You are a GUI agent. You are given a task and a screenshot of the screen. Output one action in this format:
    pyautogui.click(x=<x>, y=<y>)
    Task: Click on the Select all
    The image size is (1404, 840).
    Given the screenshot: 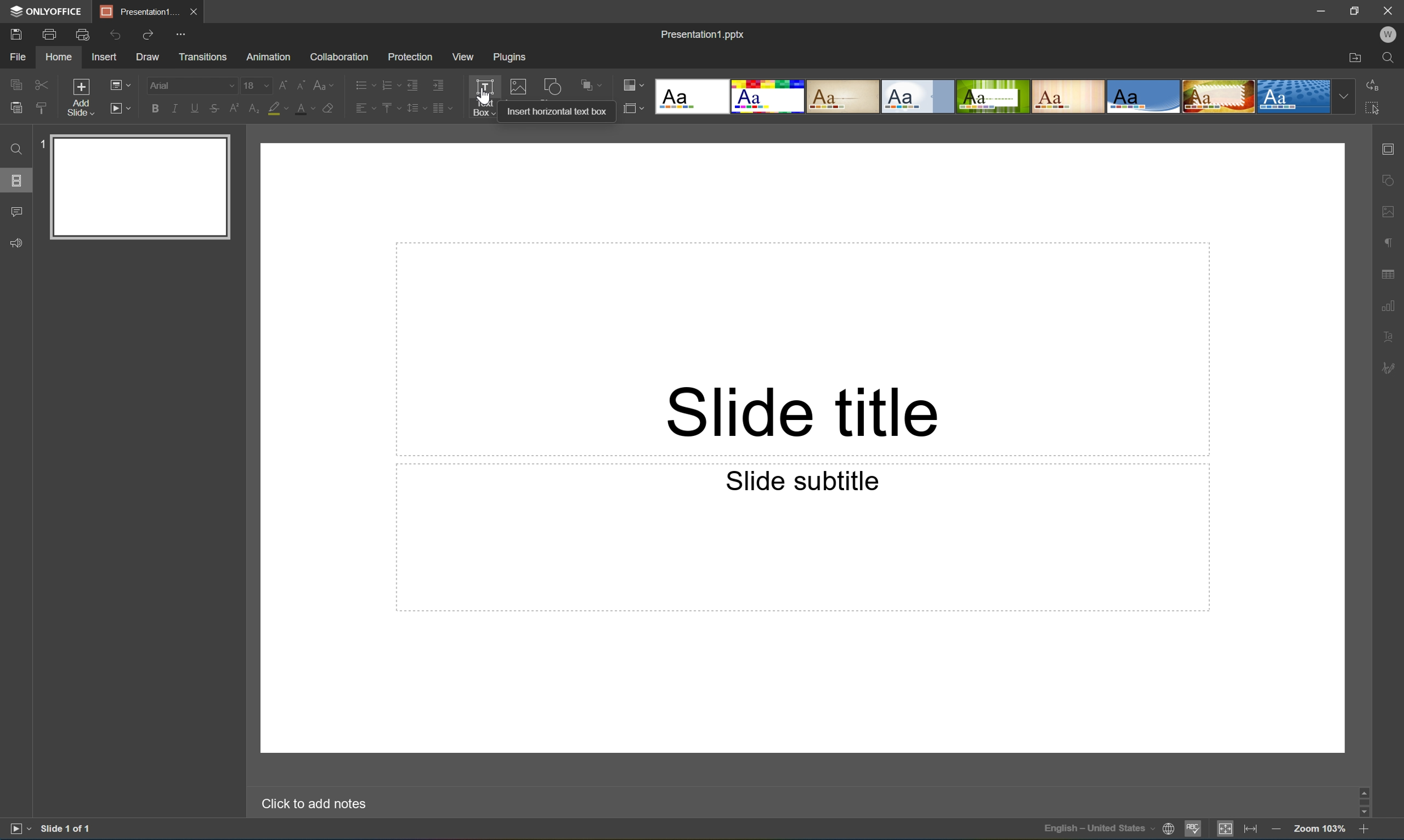 What is the action you would take?
    pyautogui.click(x=1376, y=112)
    